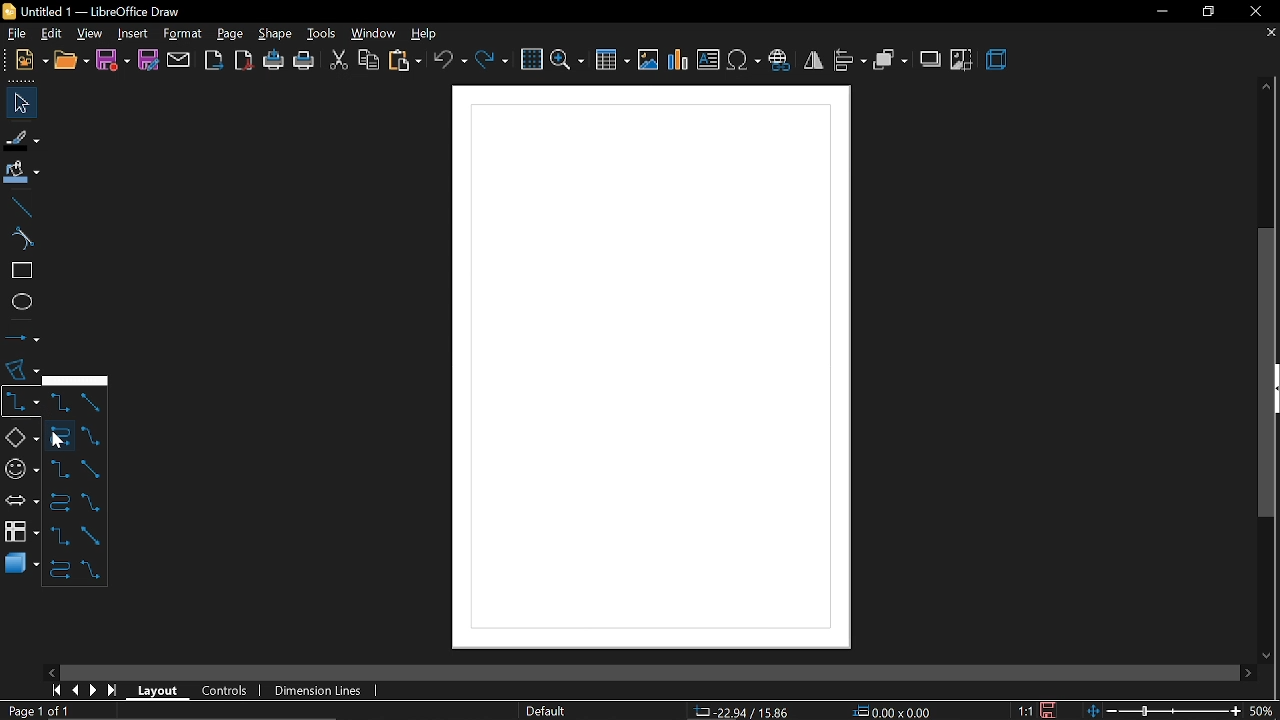  I want to click on line connector with arrow, so click(90, 468).